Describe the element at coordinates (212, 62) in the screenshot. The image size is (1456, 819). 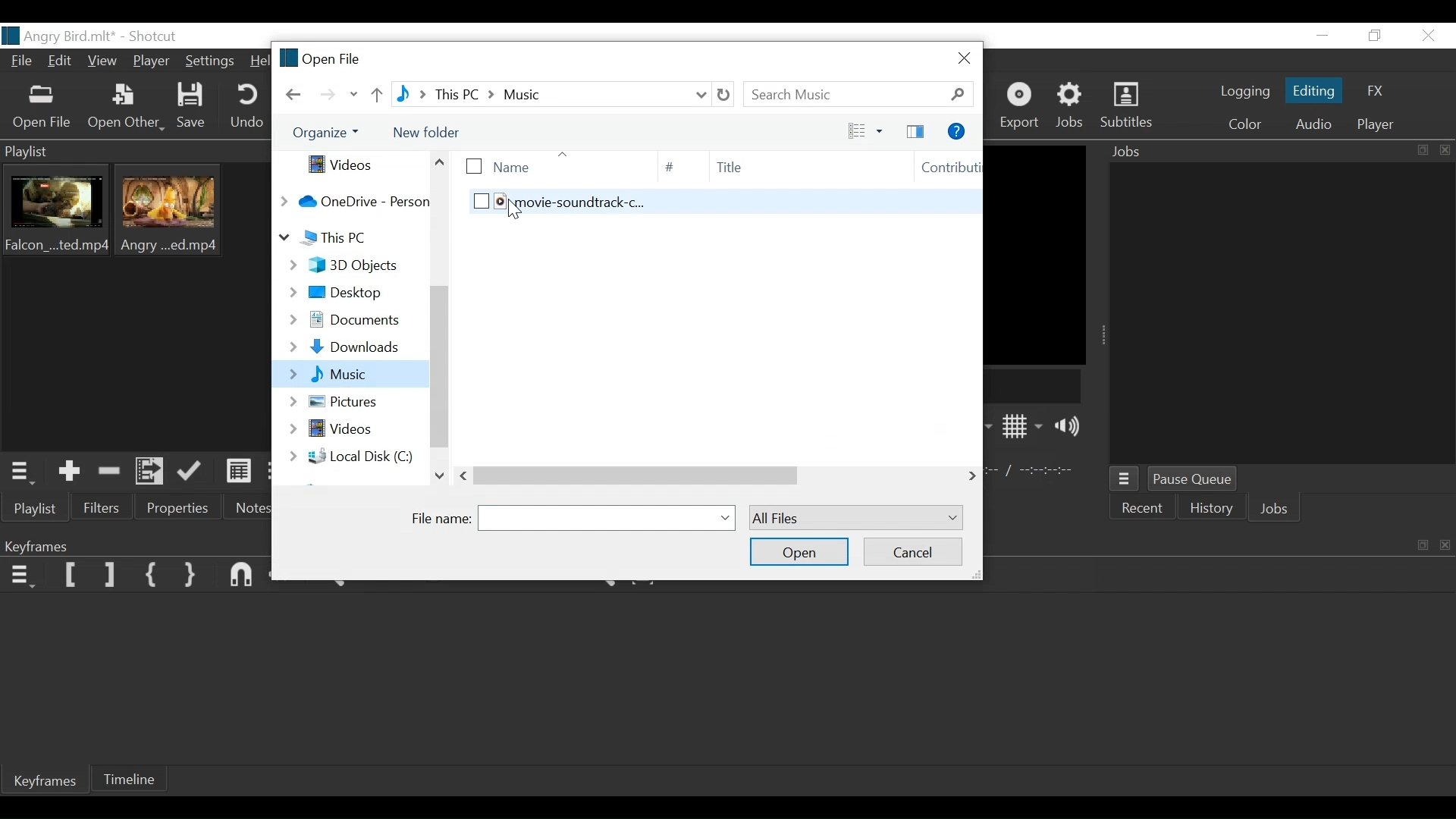
I see `Settings` at that location.